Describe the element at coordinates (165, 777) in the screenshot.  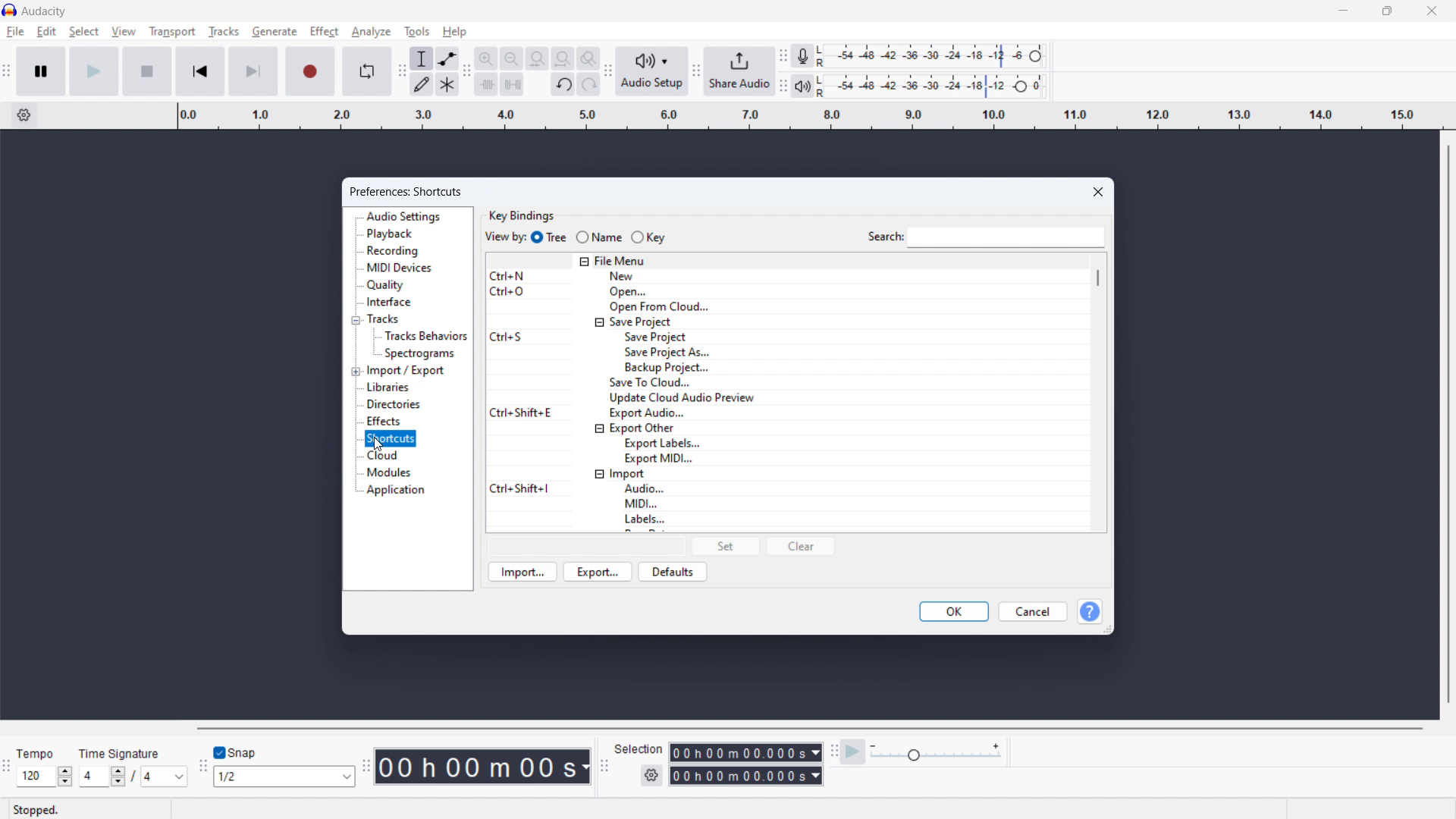
I see `set time signature` at that location.